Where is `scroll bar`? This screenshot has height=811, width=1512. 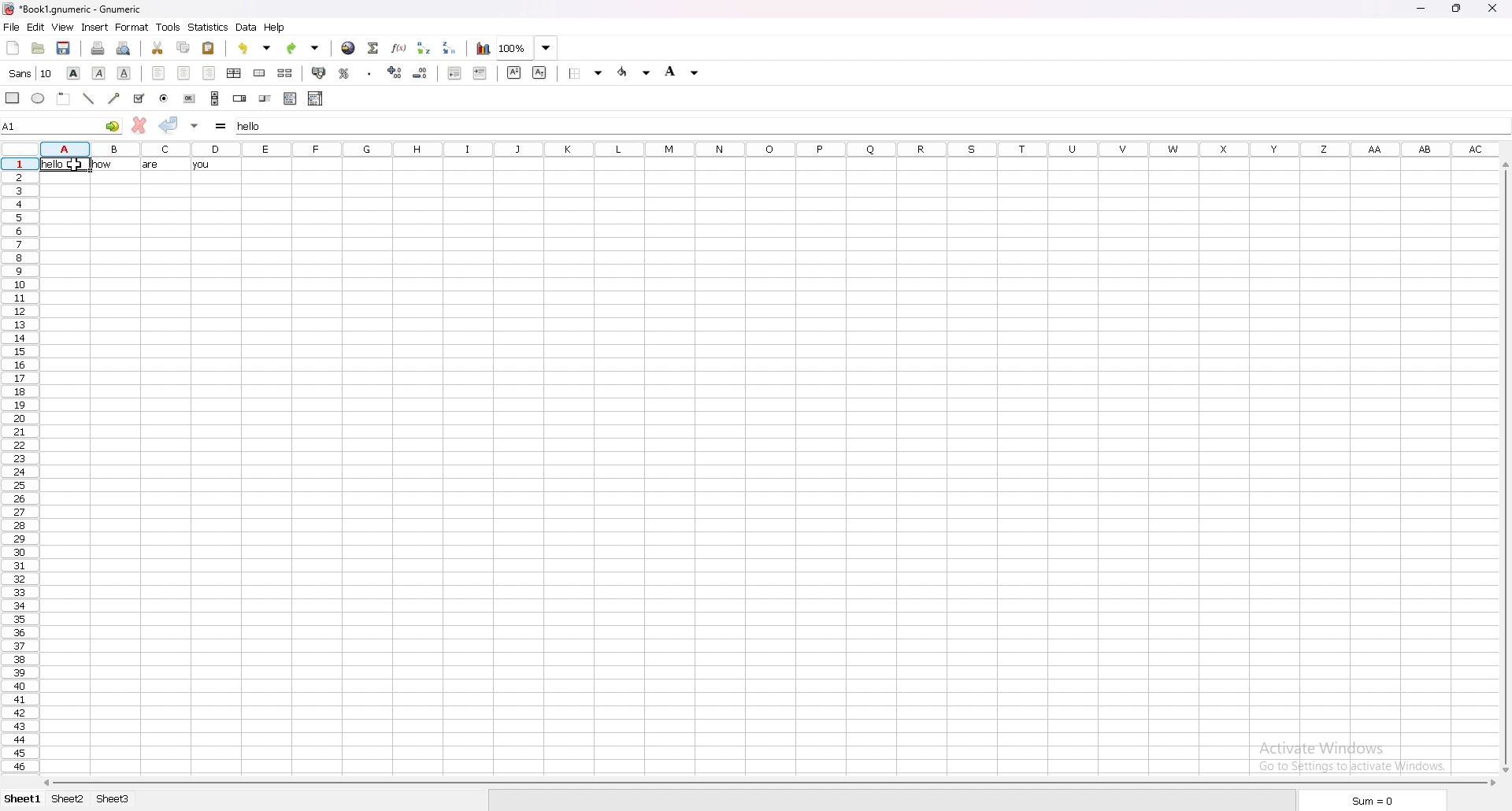
scroll bar is located at coordinates (215, 98).